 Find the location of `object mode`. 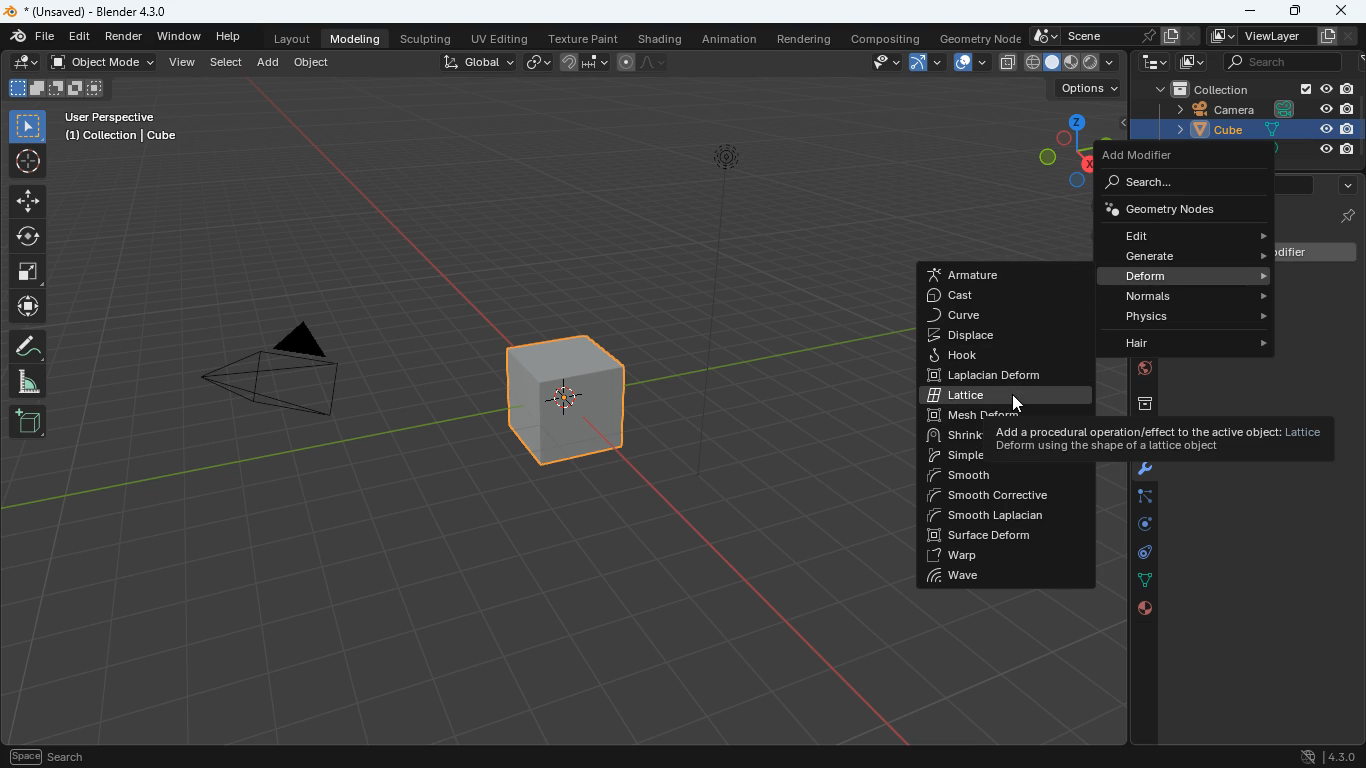

object mode is located at coordinates (102, 61).